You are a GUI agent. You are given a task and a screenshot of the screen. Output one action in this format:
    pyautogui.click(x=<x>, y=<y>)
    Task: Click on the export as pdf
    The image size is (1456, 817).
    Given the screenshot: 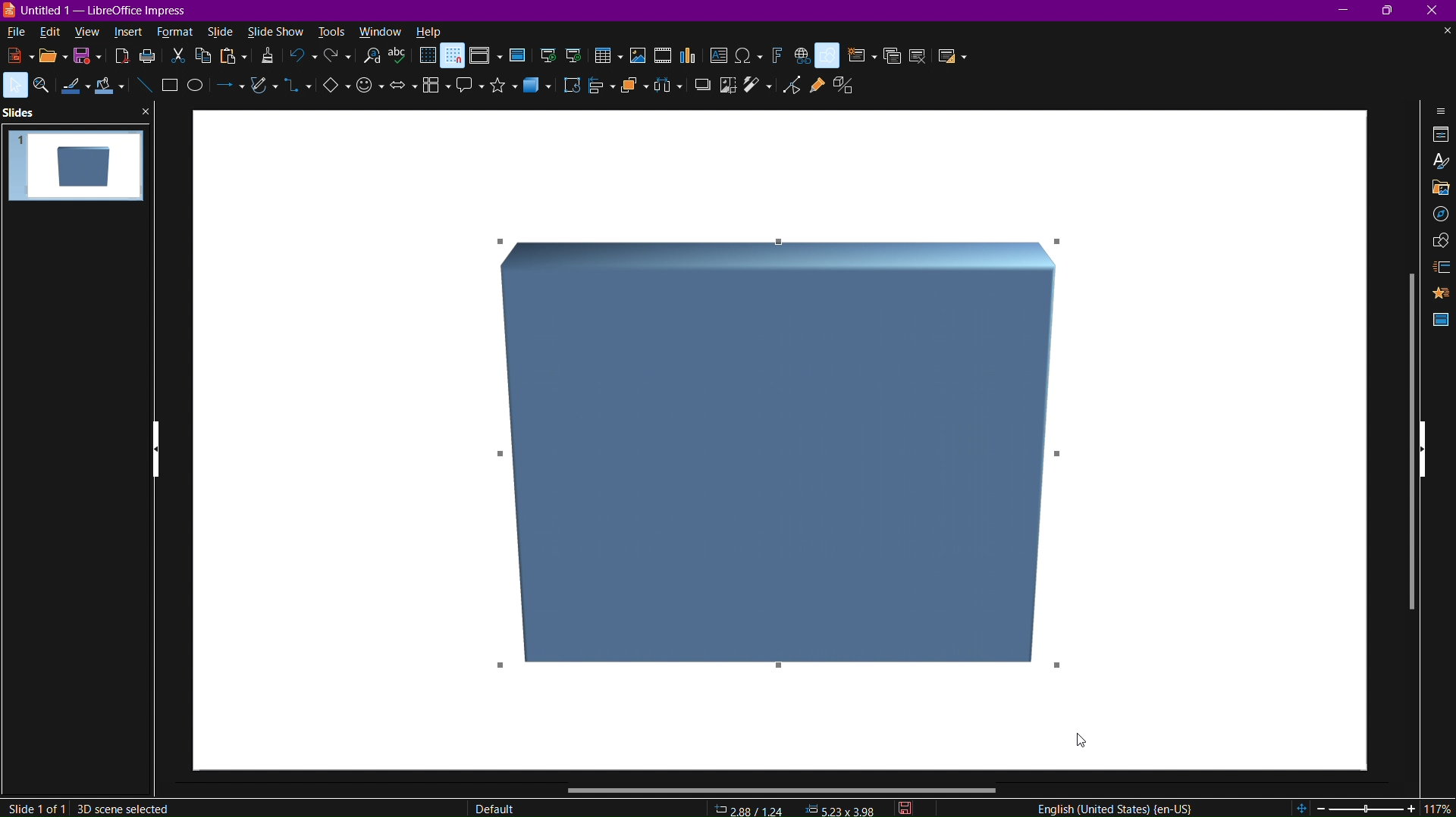 What is the action you would take?
    pyautogui.click(x=121, y=59)
    